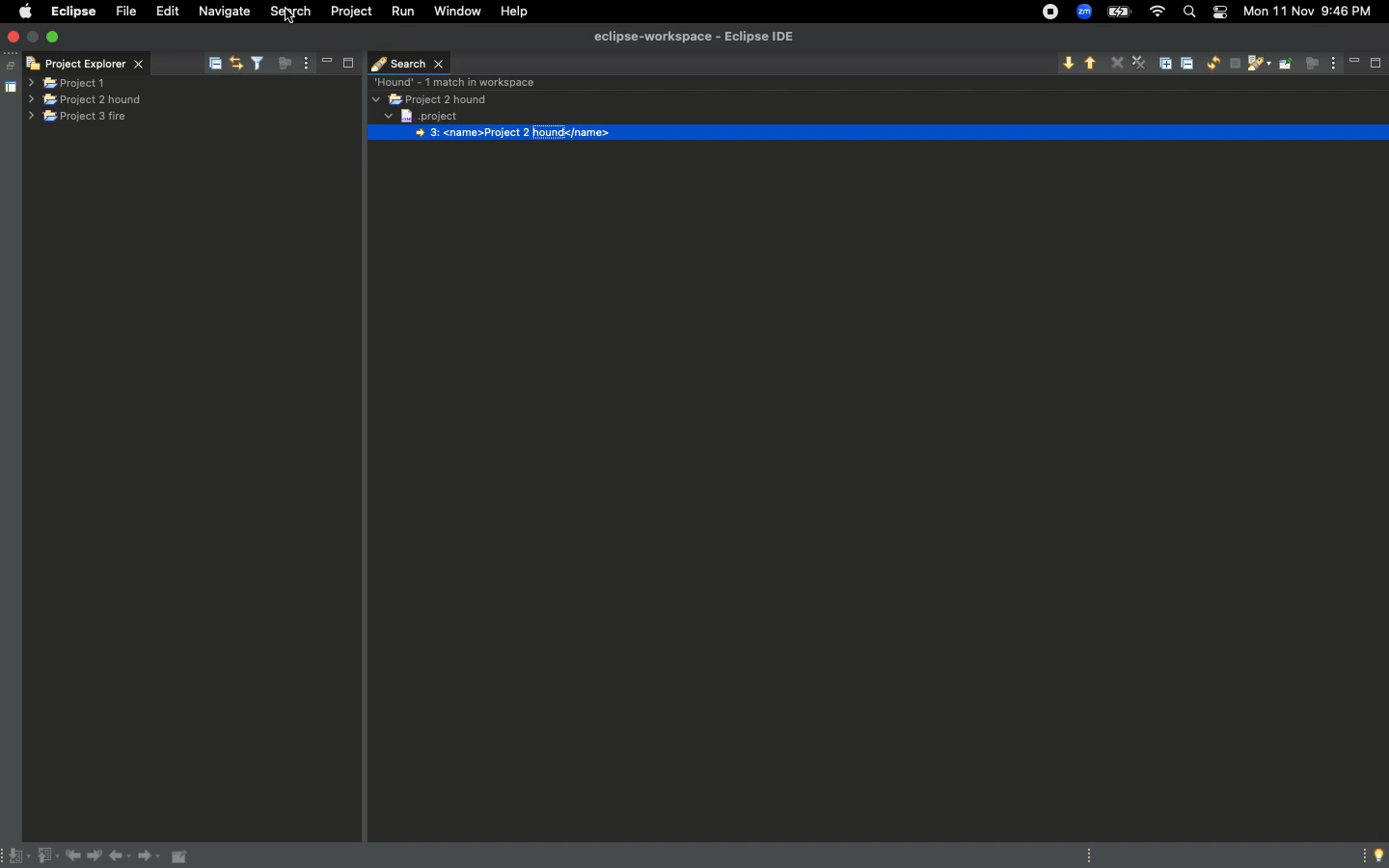  What do you see at coordinates (282, 62) in the screenshot?
I see `focus on active task` at bounding box center [282, 62].